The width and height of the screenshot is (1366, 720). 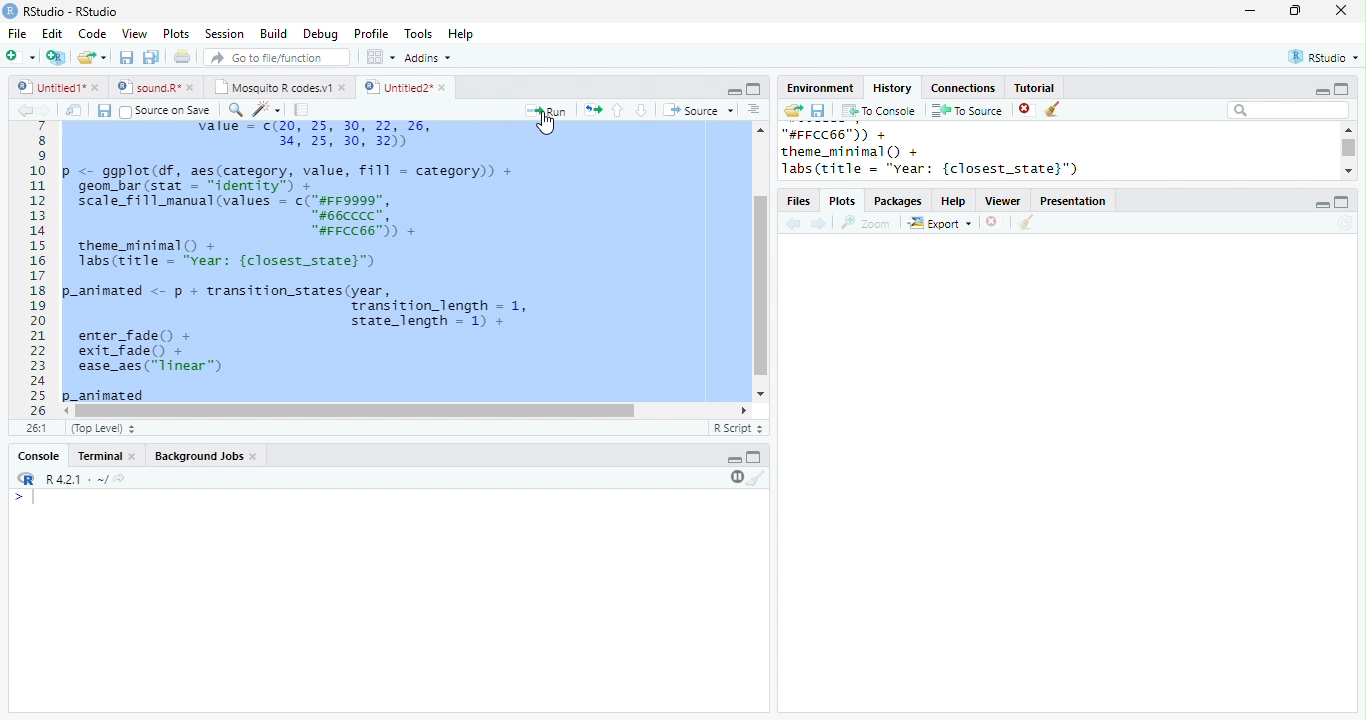 What do you see at coordinates (379, 57) in the screenshot?
I see `options` at bounding box center [379, 57].